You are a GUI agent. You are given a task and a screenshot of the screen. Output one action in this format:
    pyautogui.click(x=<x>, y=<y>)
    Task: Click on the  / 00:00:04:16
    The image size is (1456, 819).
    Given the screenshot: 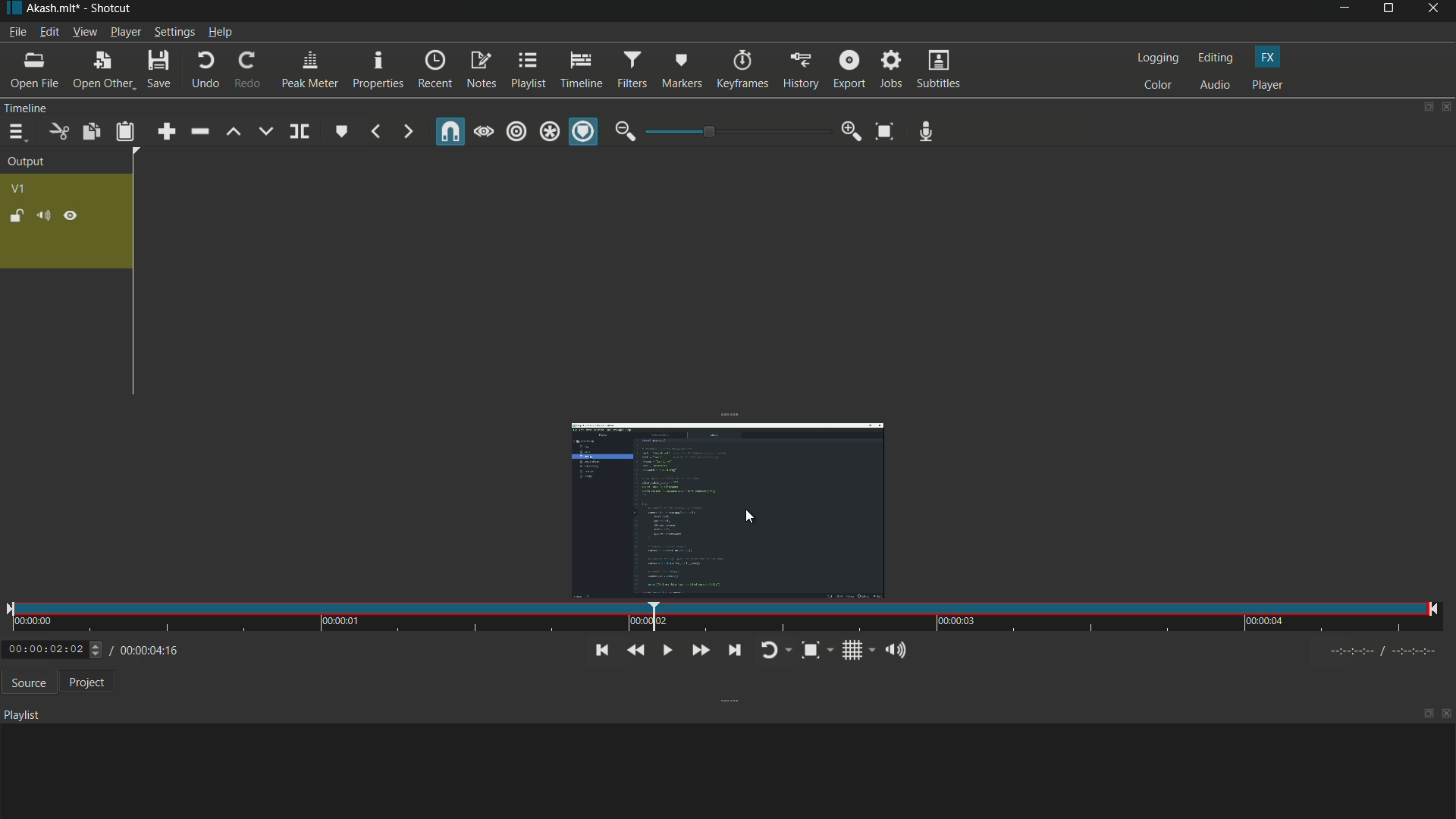 What is the action you would take?
    pyautogui.click(x=152, y=649)
    